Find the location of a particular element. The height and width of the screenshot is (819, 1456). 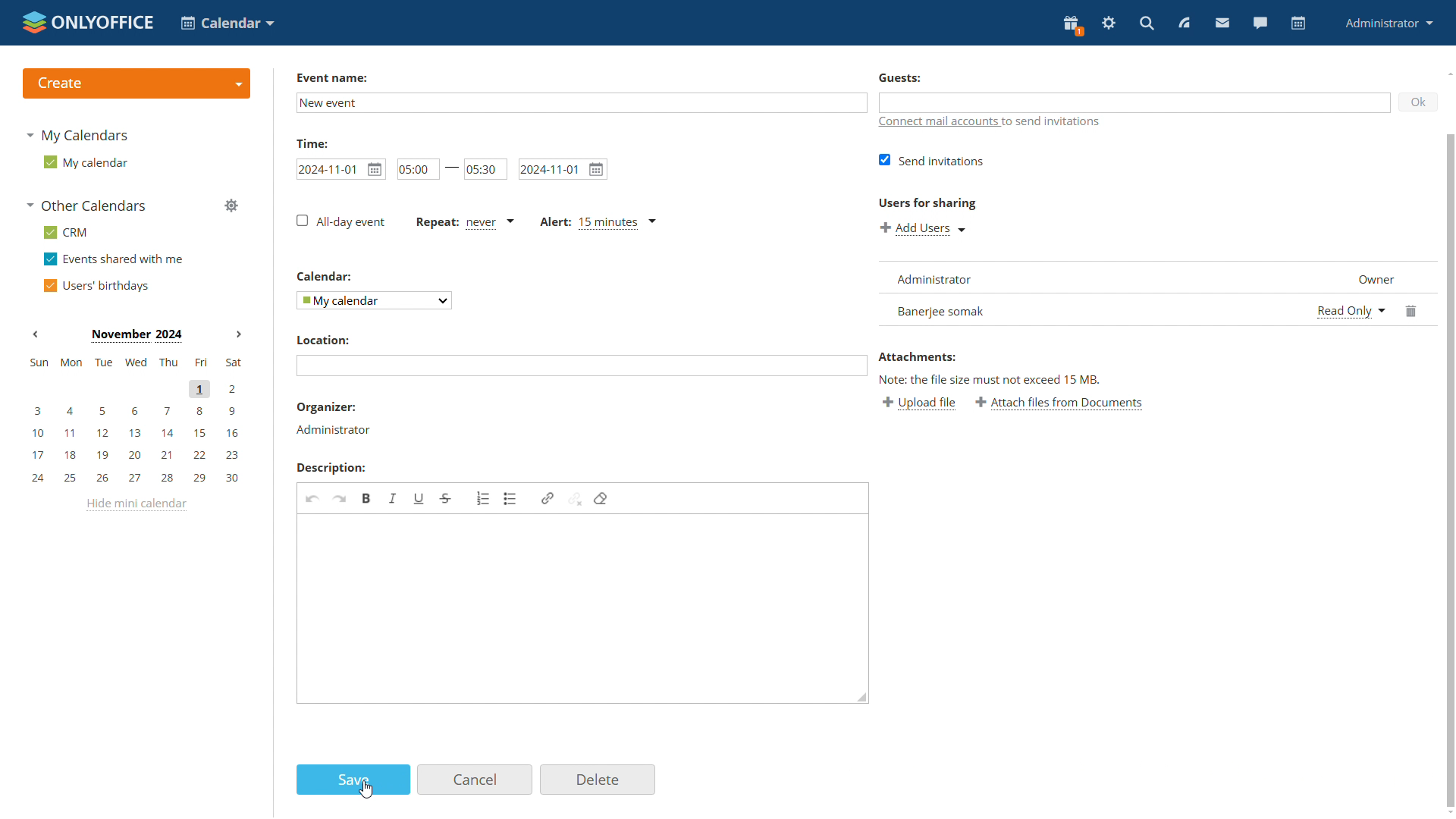

Event alert set at 15 minutes is located at coordinates (598, 223).